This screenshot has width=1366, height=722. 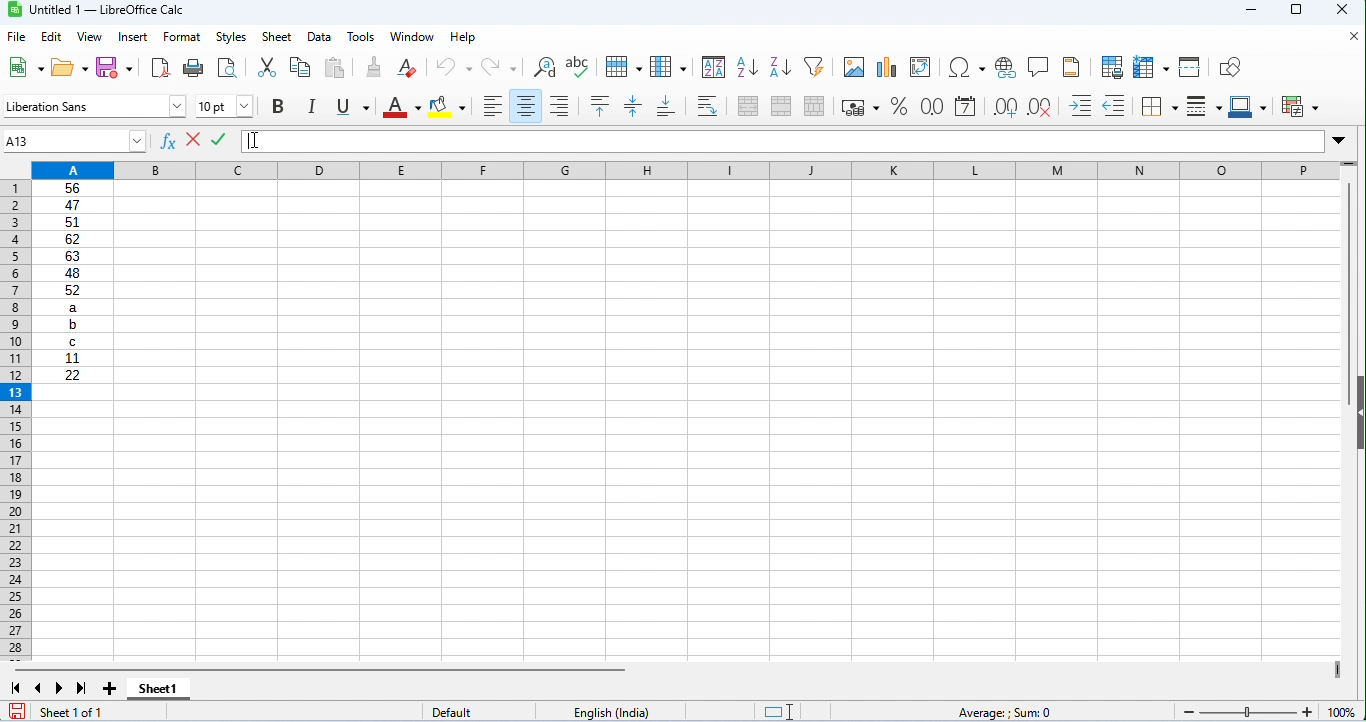 What do you see at coordinates (707, 106) in the screenshot?
I see `wrap text` at bounding box center [707, 106].